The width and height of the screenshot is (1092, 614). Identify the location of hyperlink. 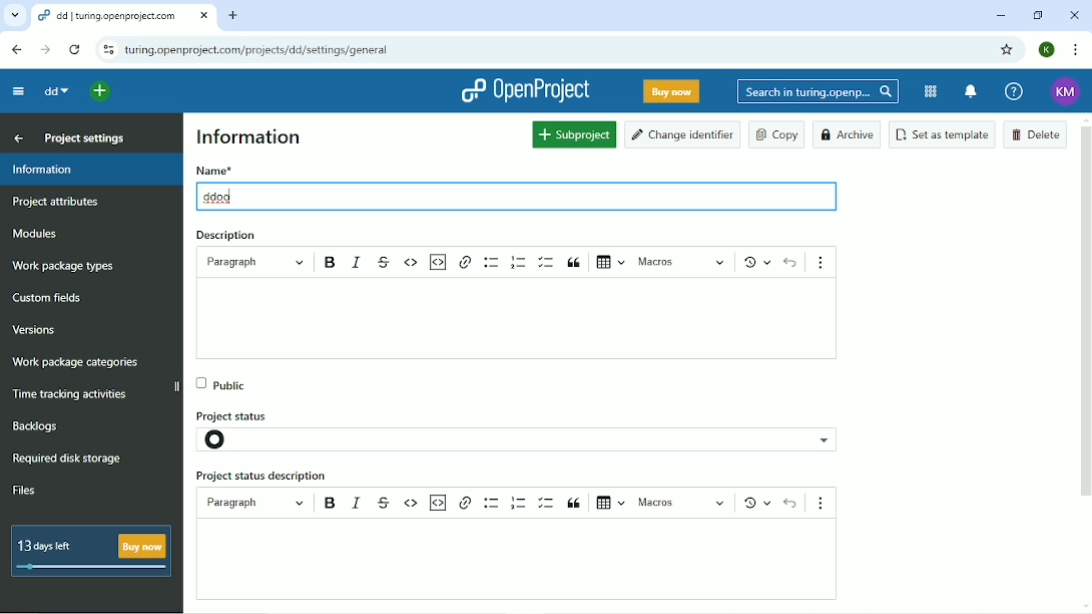
(466, 503).